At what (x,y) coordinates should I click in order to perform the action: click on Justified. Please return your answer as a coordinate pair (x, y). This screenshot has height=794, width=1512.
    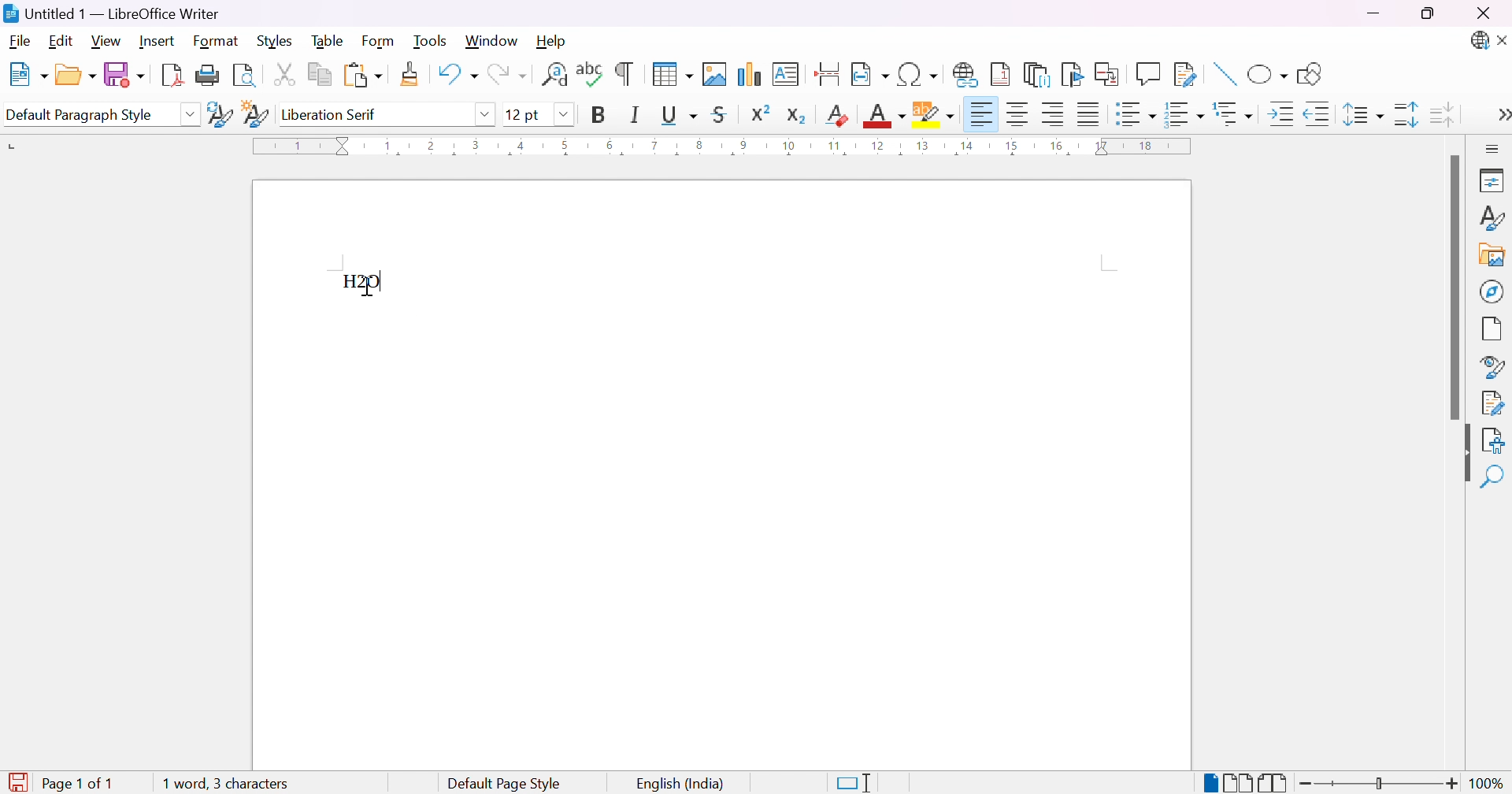
    Looking at the image, I should click on (1089, 113).